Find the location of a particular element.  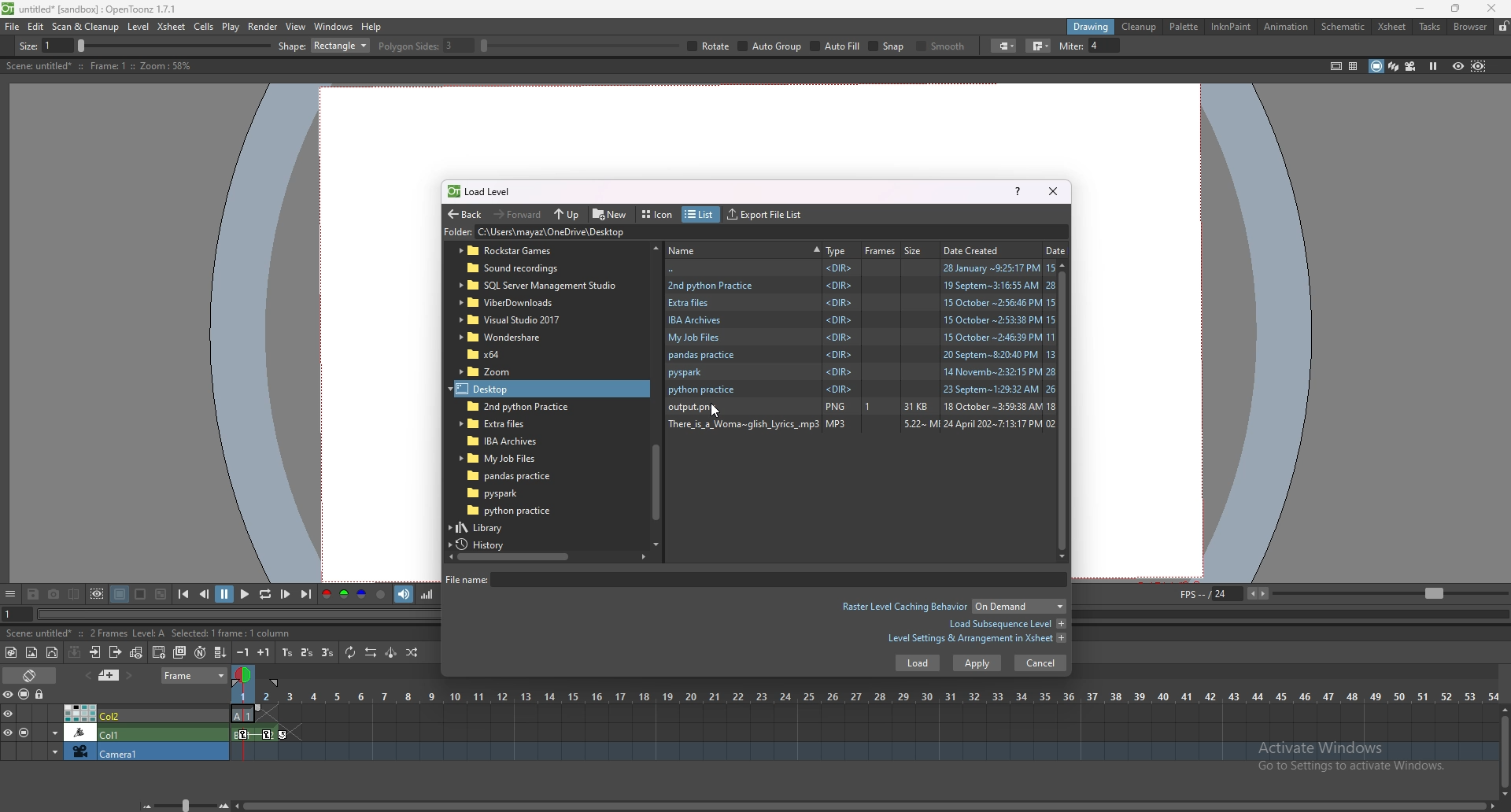

folder is located at coordinates (516, 476).